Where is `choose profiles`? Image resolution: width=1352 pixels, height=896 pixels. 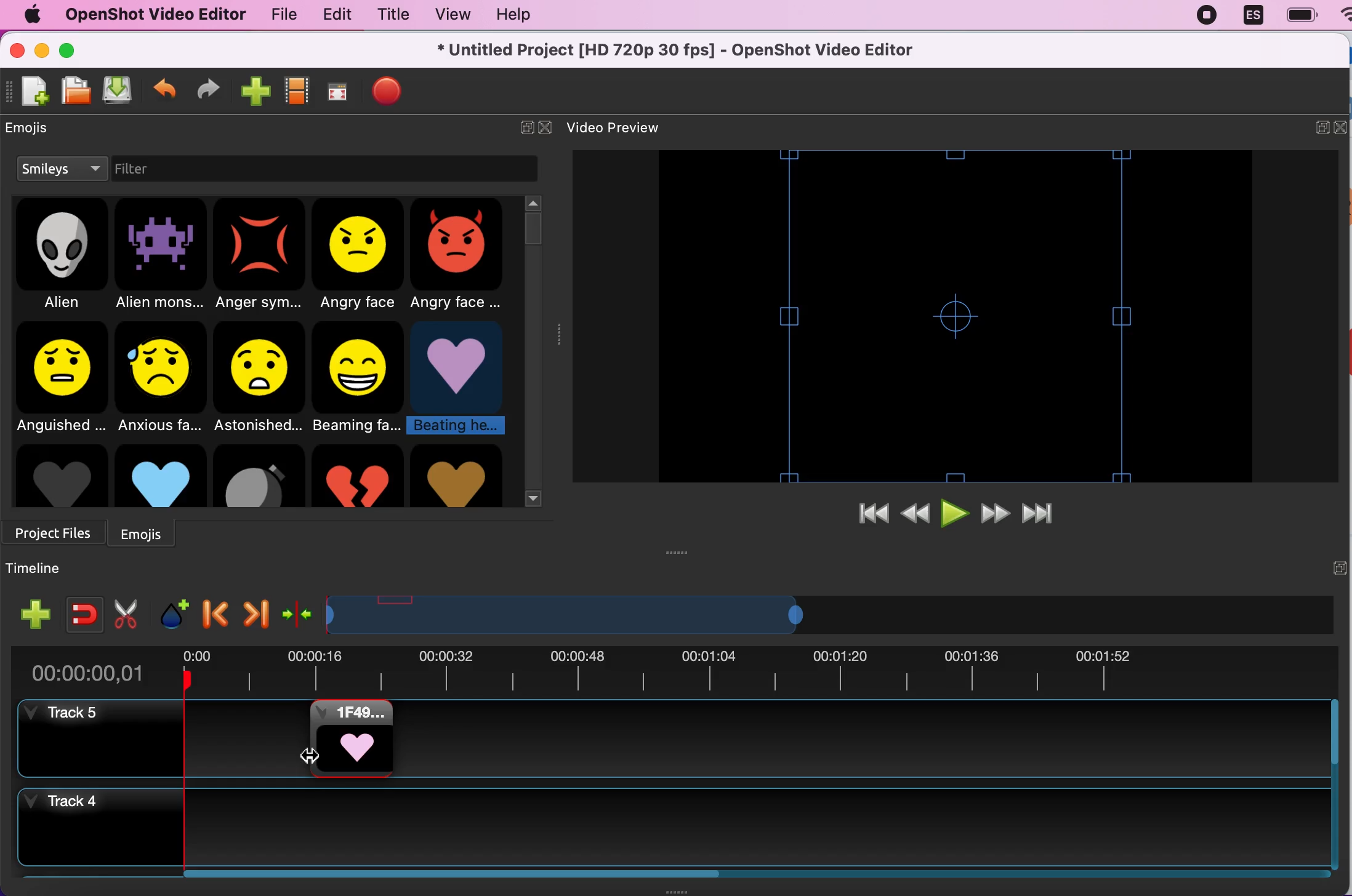 choose profiles is located at coordinates (297, 91).